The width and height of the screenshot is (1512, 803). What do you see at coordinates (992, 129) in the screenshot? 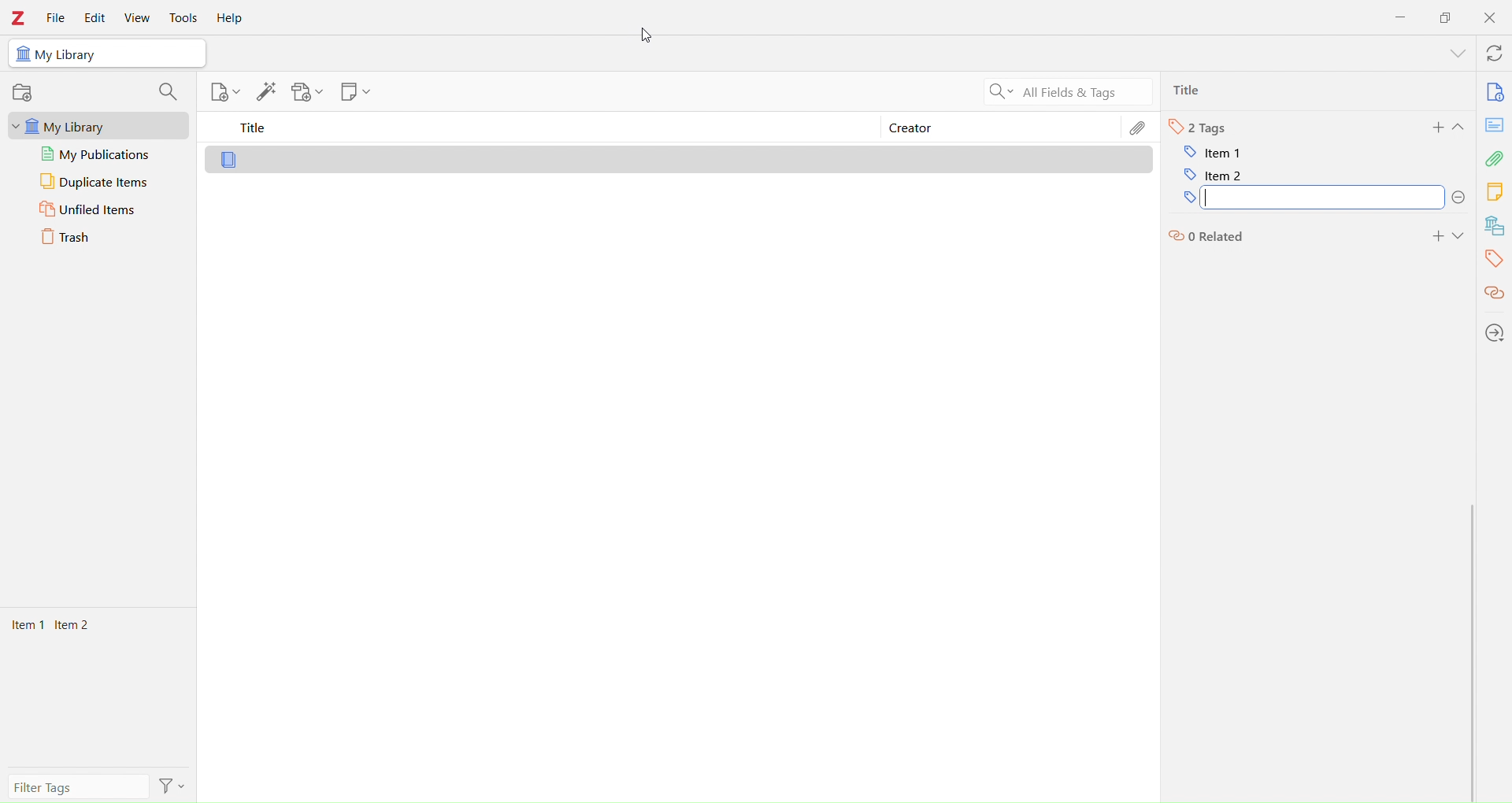
I see `Creator` at bounding box center [992, 129].